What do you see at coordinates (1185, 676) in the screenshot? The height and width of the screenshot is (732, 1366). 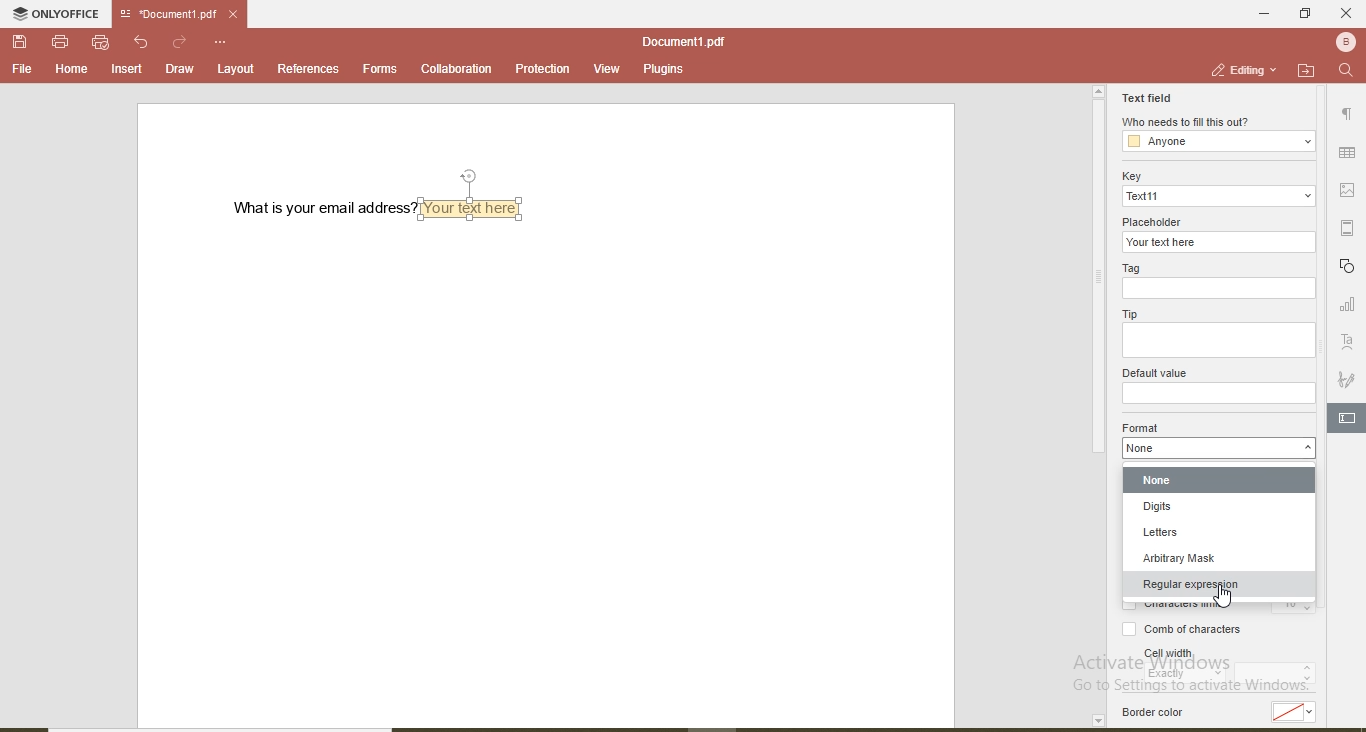 I see `exactly` at bounding box center [1185, 676].